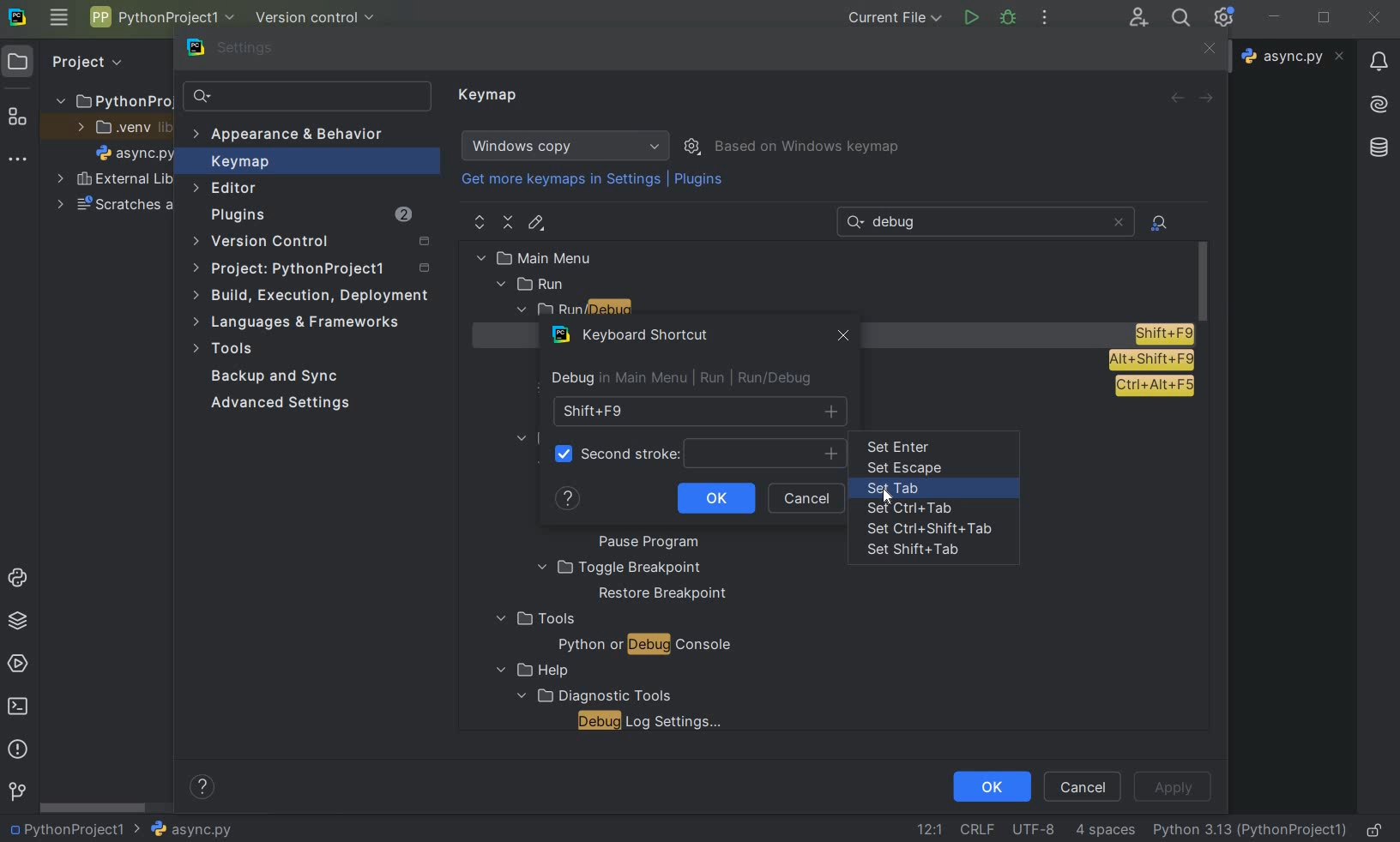  Describe the element at coordinates (64, 829) in the screenshot. I see `project name` at that location.